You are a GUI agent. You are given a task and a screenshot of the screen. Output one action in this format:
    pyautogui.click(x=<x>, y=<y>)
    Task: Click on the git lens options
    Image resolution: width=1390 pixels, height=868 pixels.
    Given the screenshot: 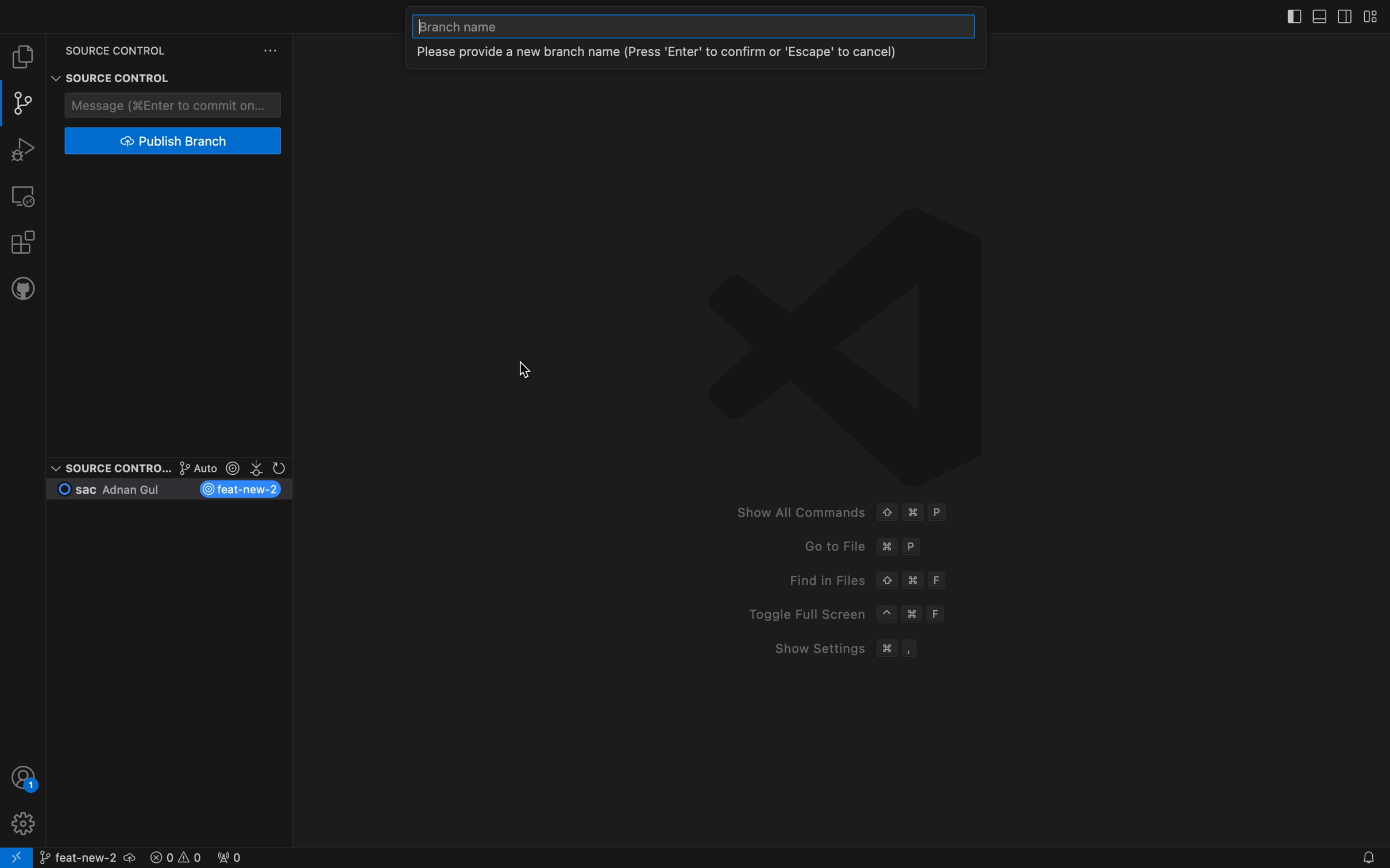 What is the action you would take?
    pyautogui.click(x=229, y=468)
    